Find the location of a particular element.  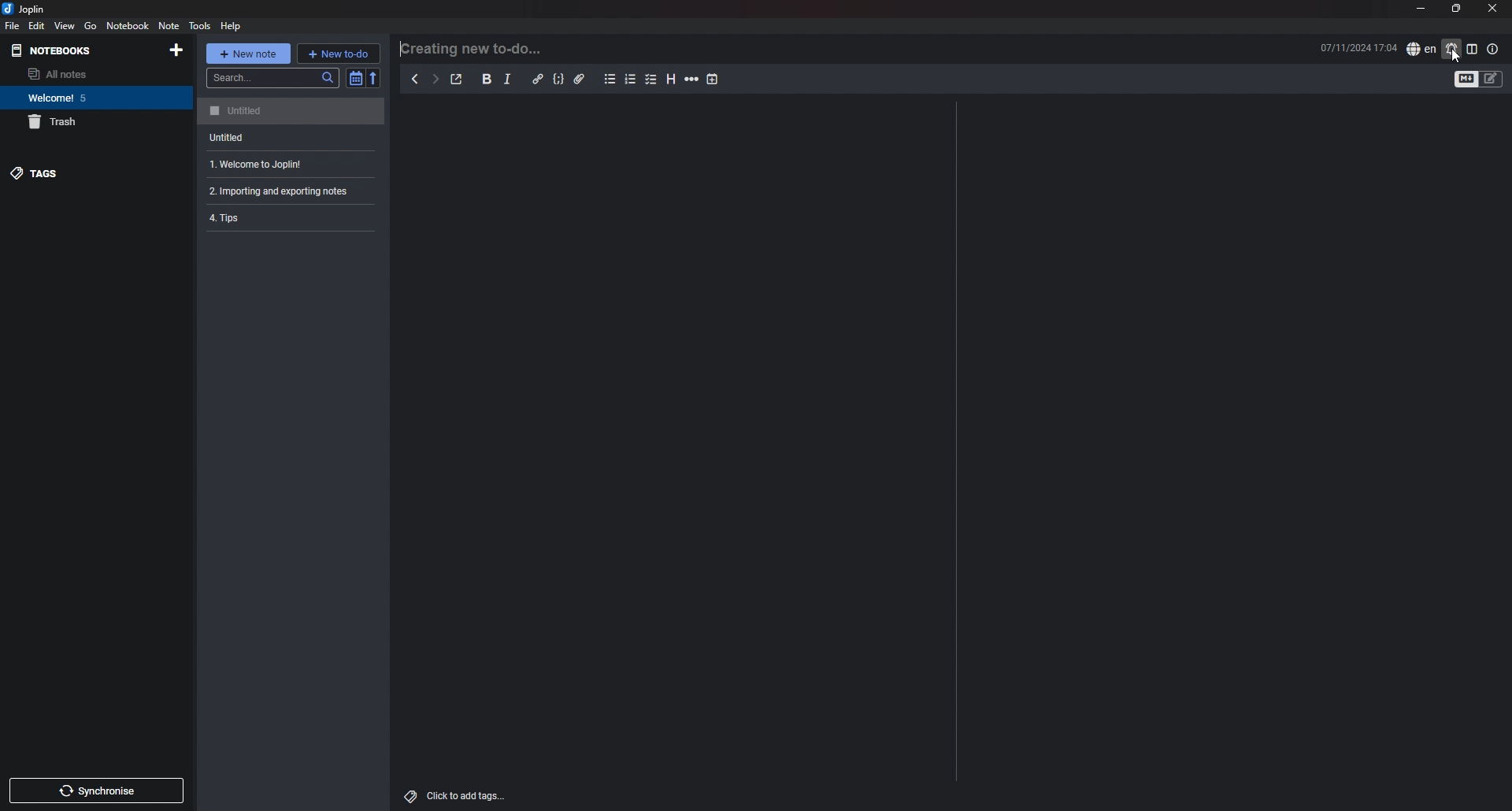

new todo is located at coordinates (339, 54).